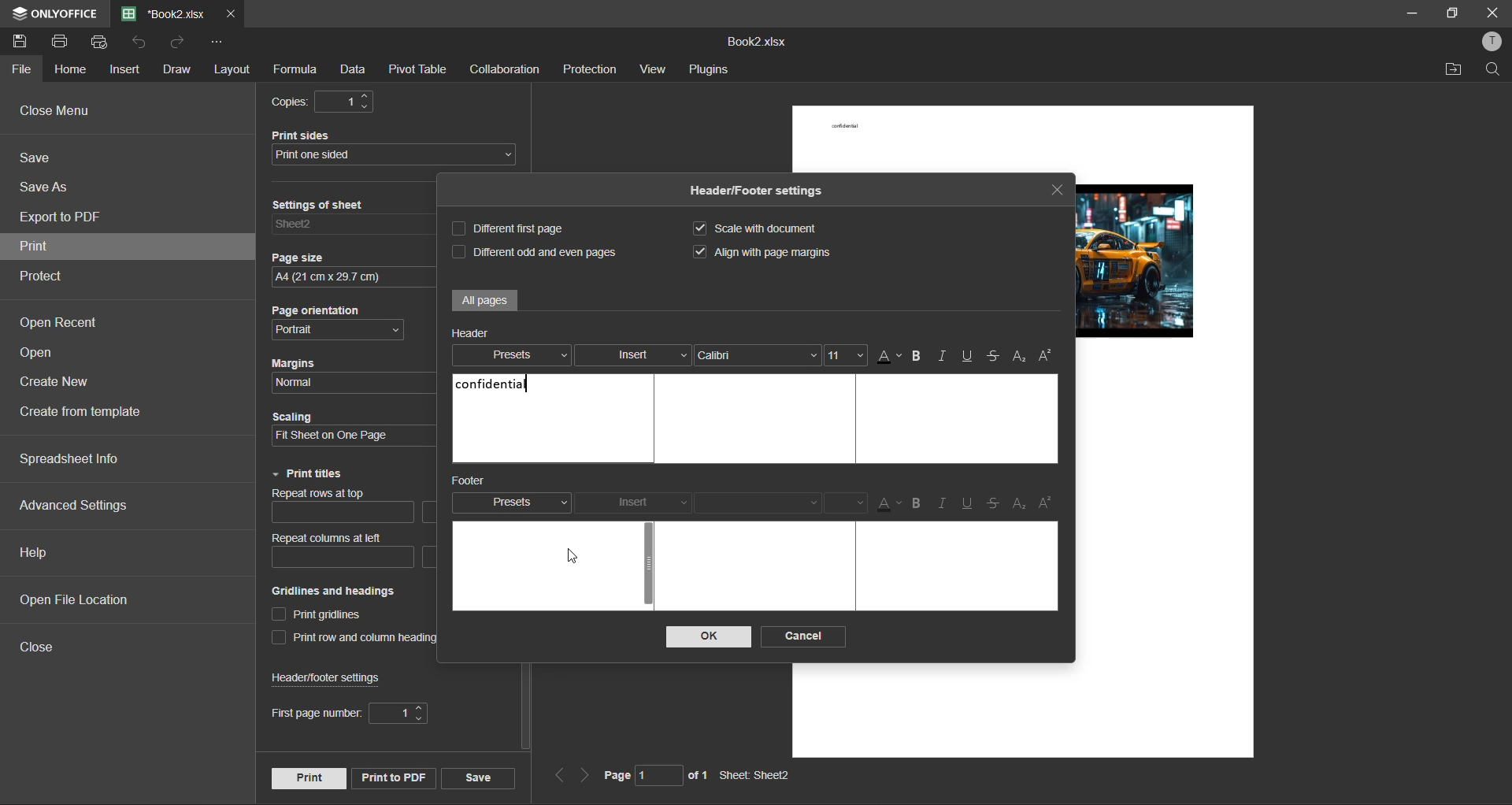  What do you see at coordinates (755, 45) in the screenshot?
I see `Book2.xlsx` at bounding box center [755, 45].